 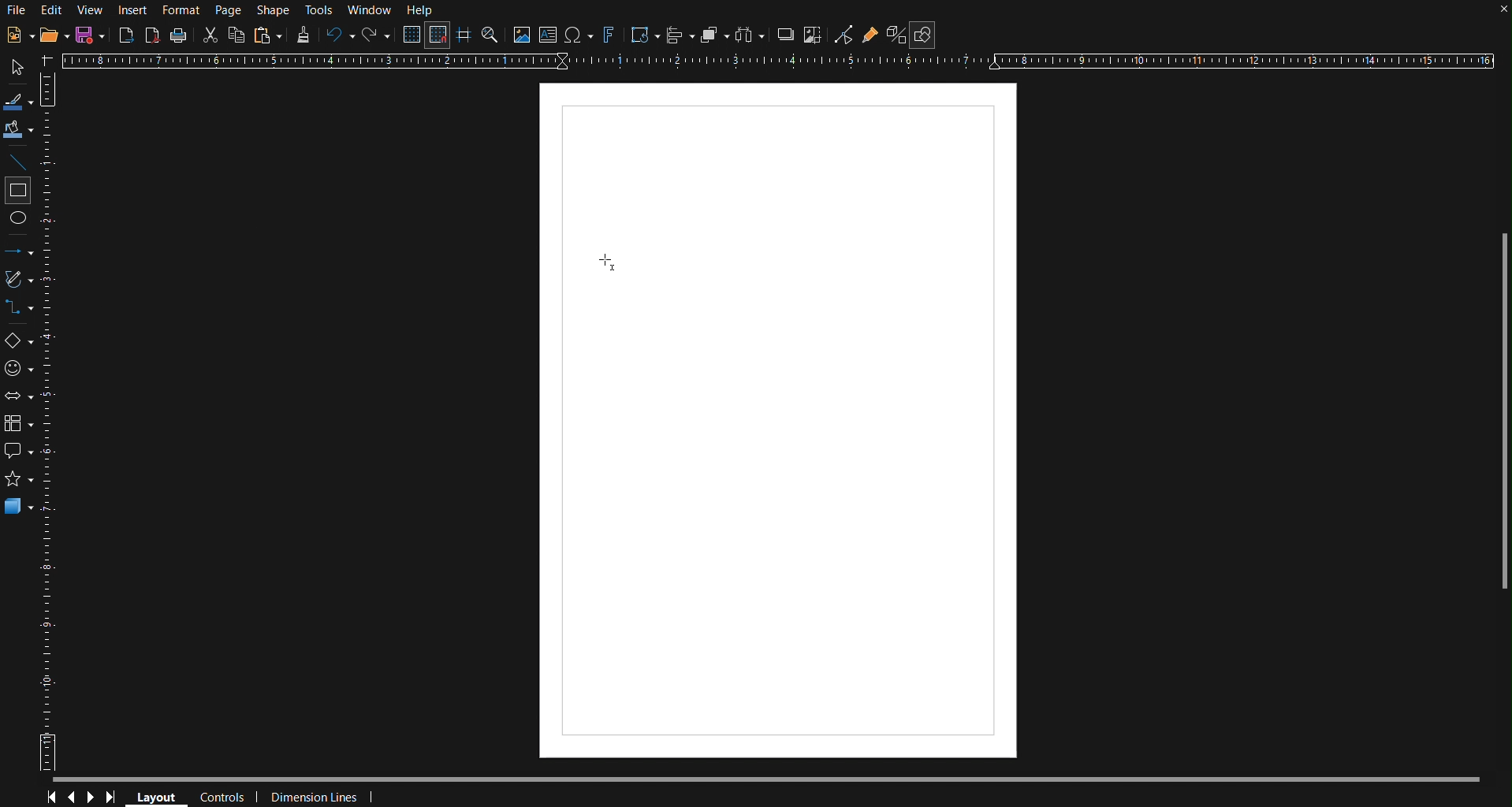 What do you see at coordinates (19, 34) in the screenshot?
I see `New` at bounding box center [19, 34].